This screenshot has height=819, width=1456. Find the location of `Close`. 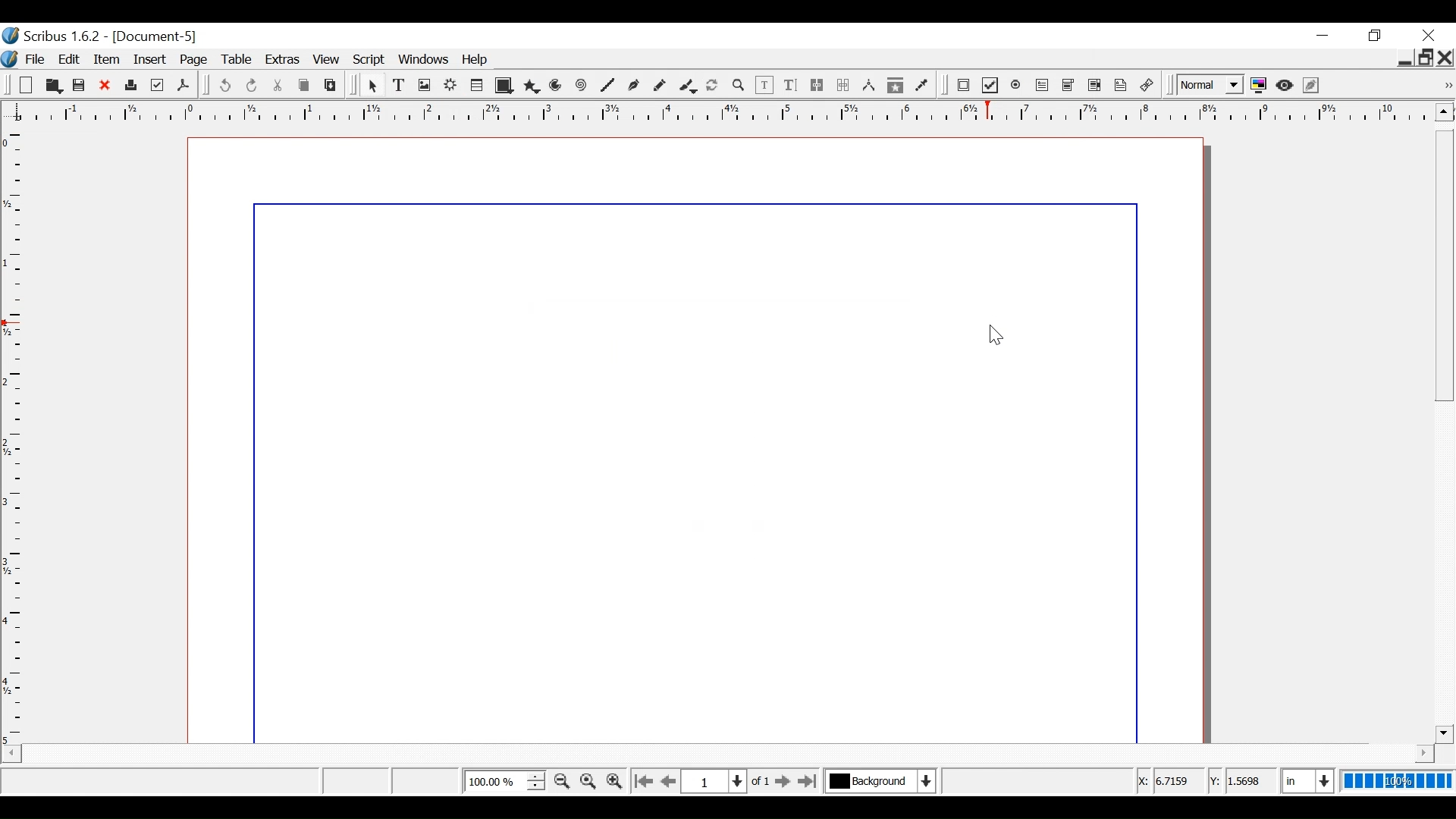

Close is located at coordinates (1446, 58).